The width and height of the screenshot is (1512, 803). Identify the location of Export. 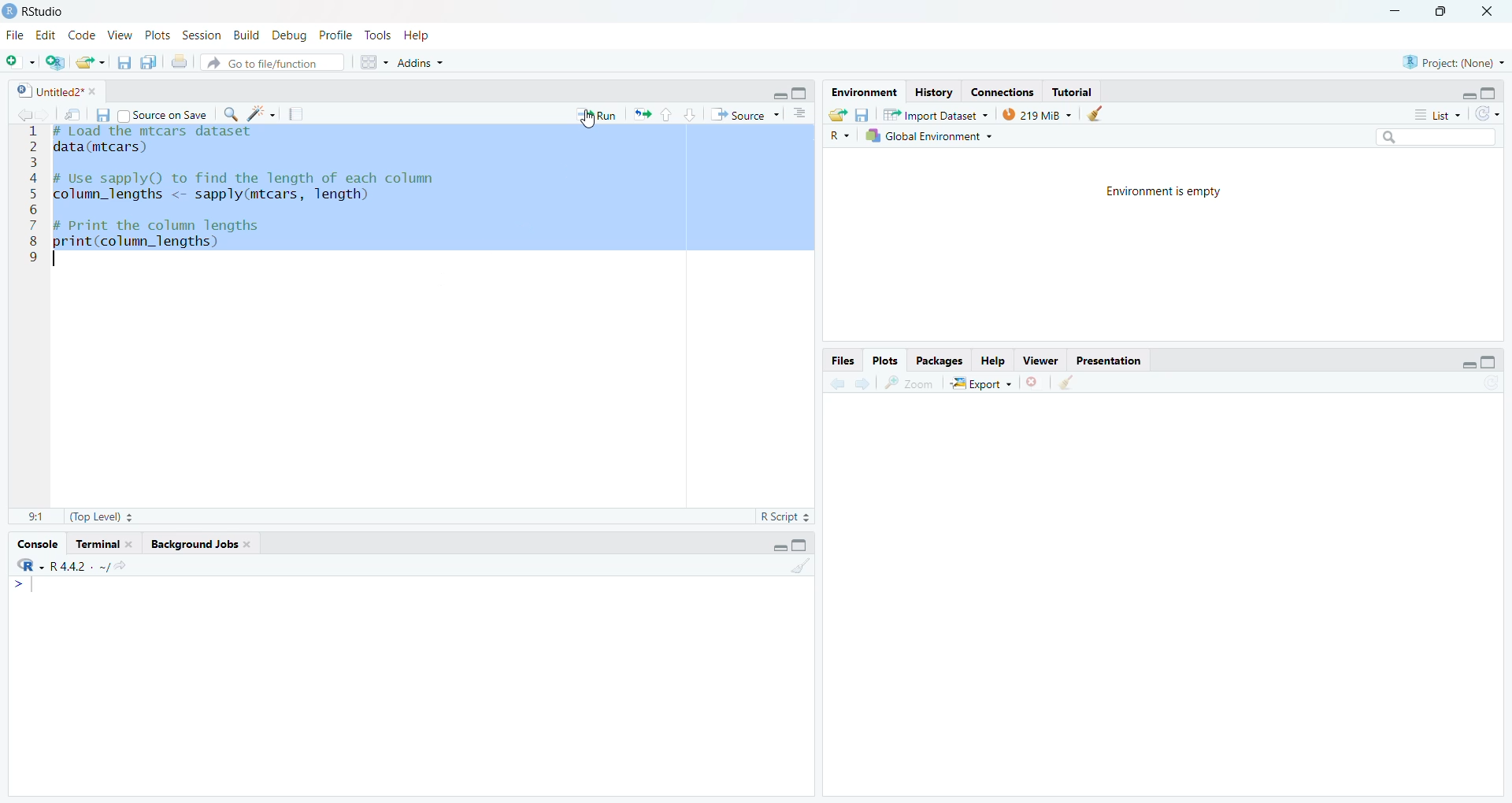
(980, 383).